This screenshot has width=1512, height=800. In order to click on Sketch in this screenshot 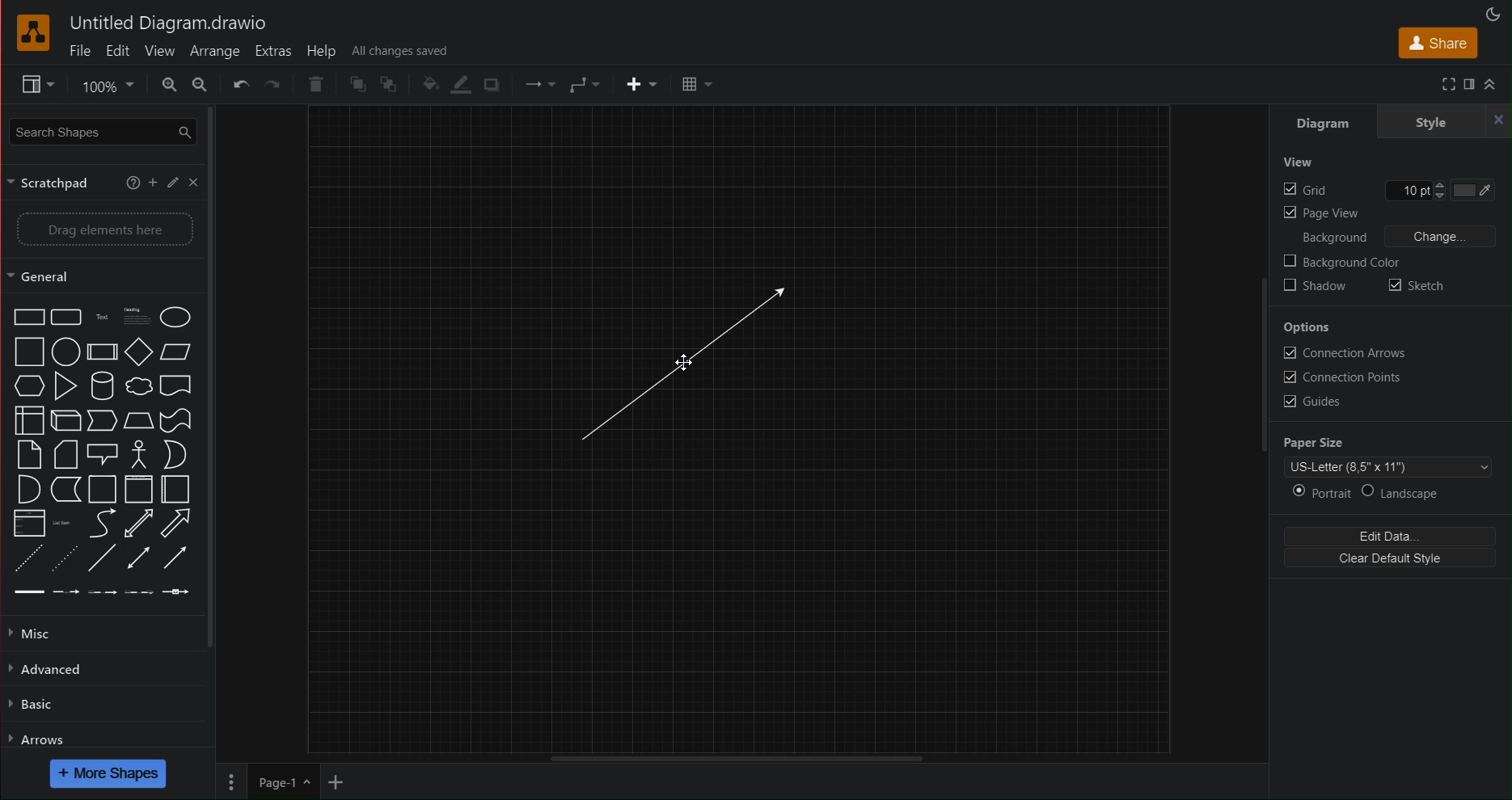, I will do `click(1419, 284)`.